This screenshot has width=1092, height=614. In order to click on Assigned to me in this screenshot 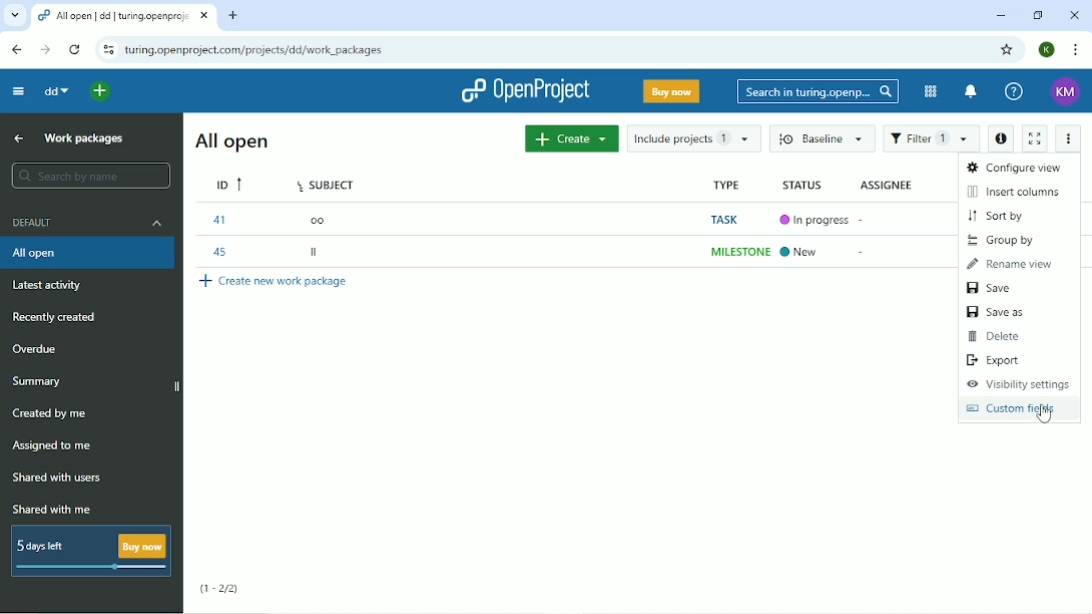, I will do `click(54, 447)`.